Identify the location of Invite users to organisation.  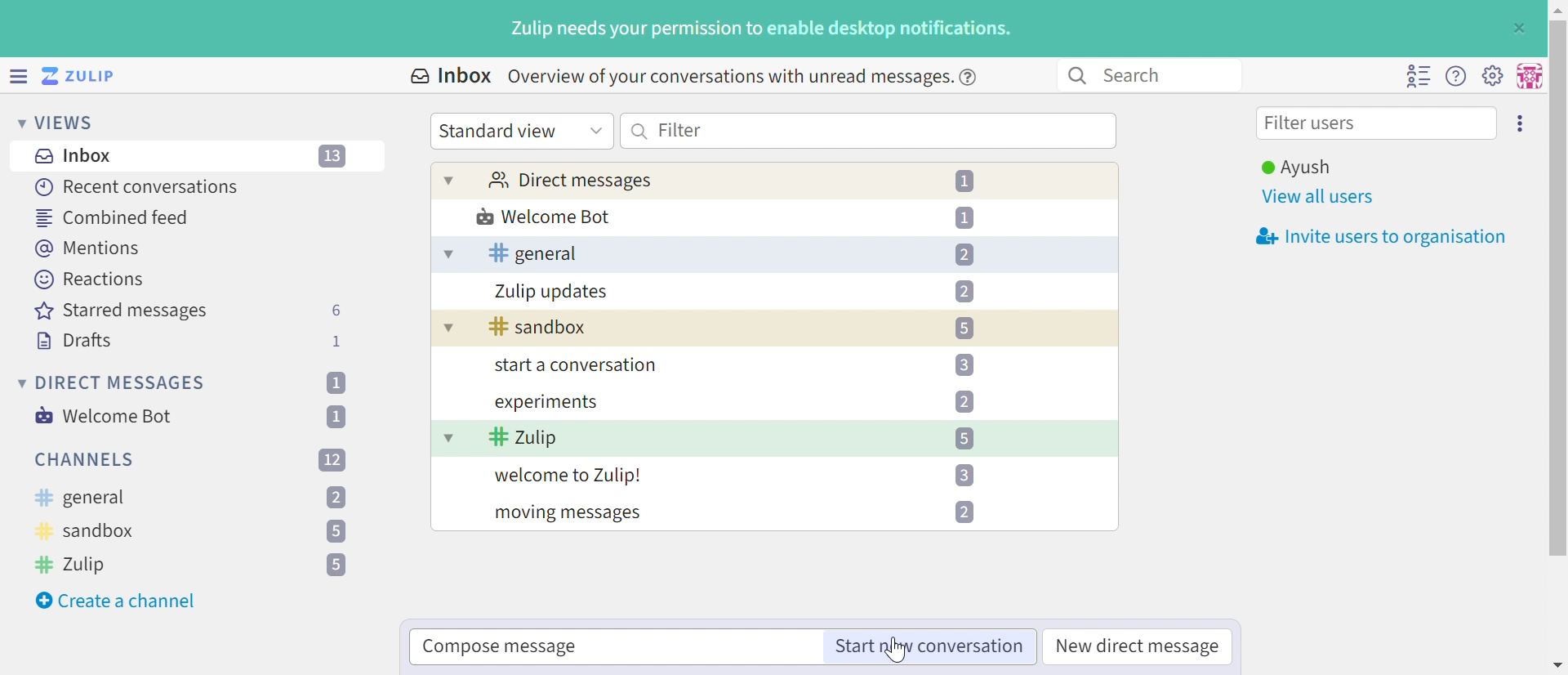
(1376, 238).